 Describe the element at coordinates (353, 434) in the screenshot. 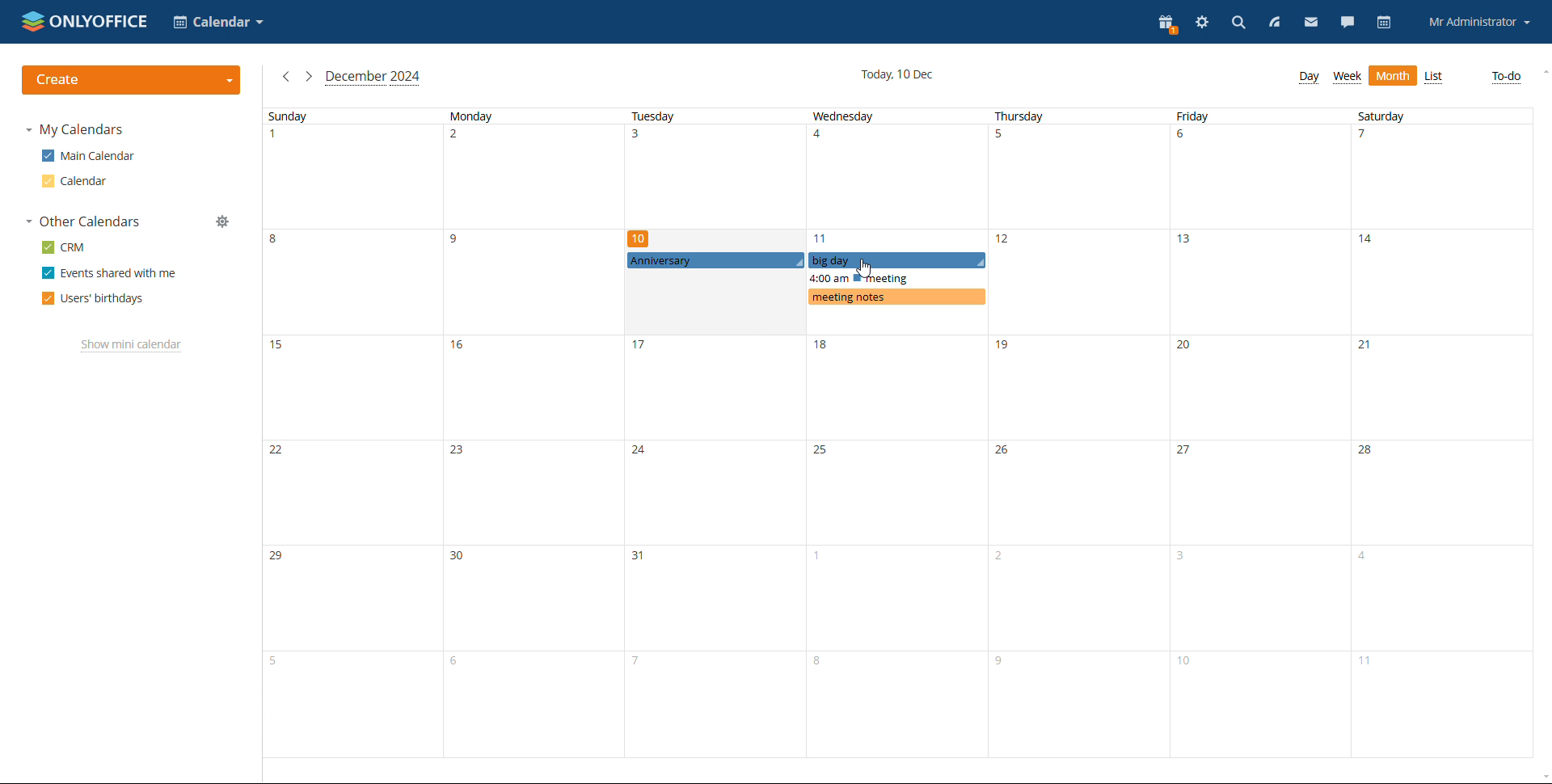

I see `sunday` at that location.